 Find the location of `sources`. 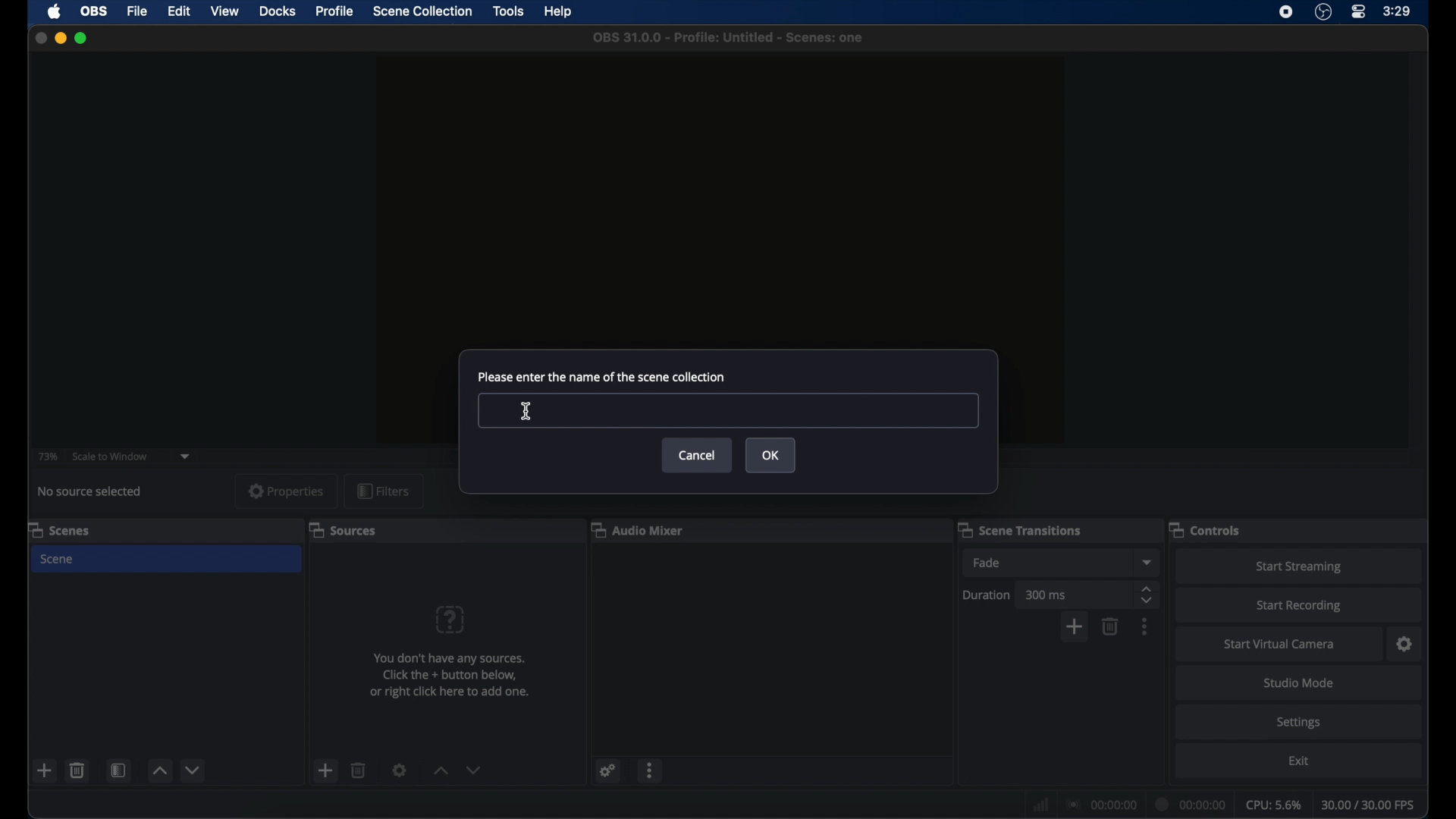

sources is located at coordinates (342, 529).